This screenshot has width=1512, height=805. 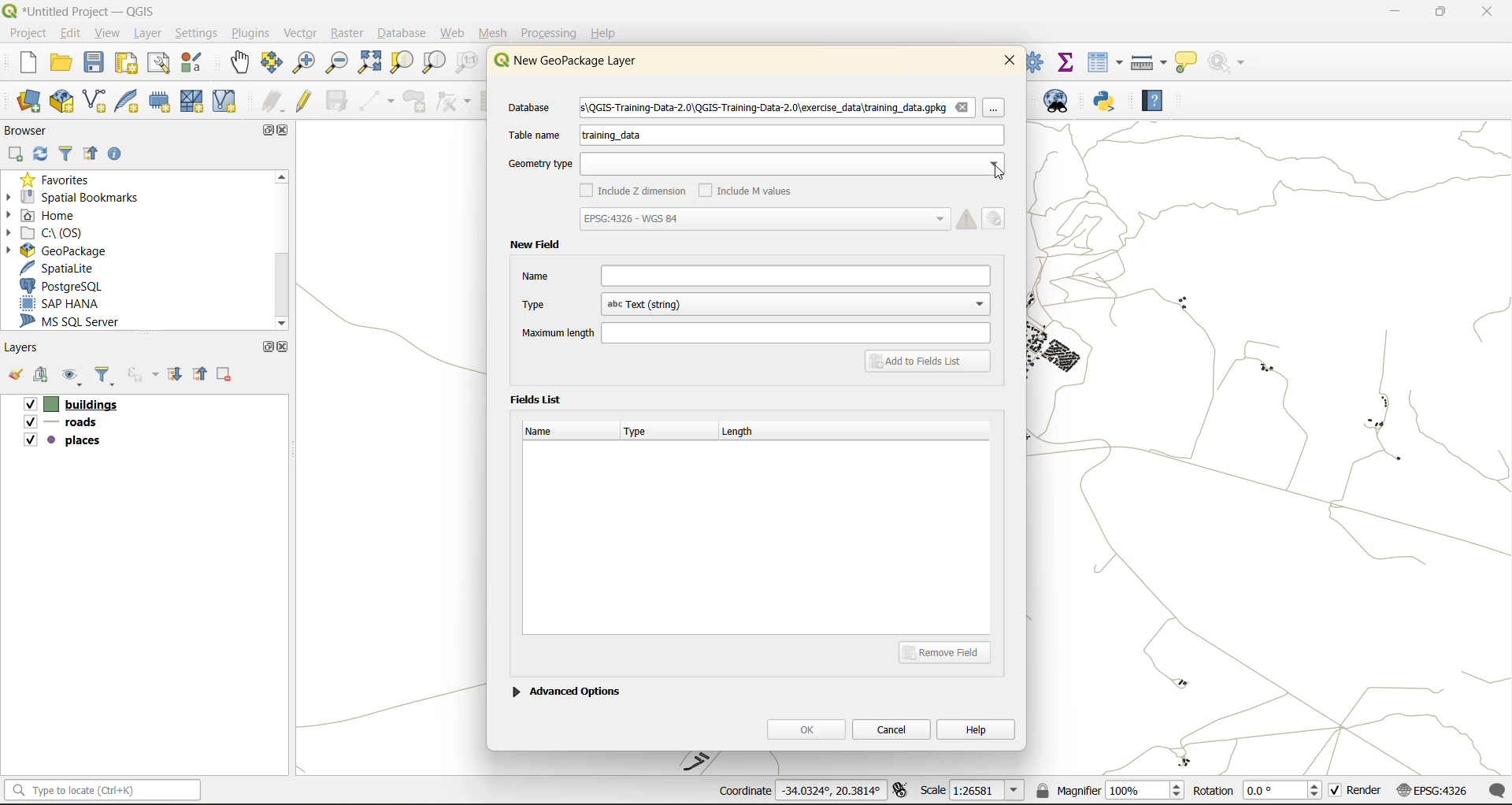 I want to click on zoom full, so click(x=369, y=63).